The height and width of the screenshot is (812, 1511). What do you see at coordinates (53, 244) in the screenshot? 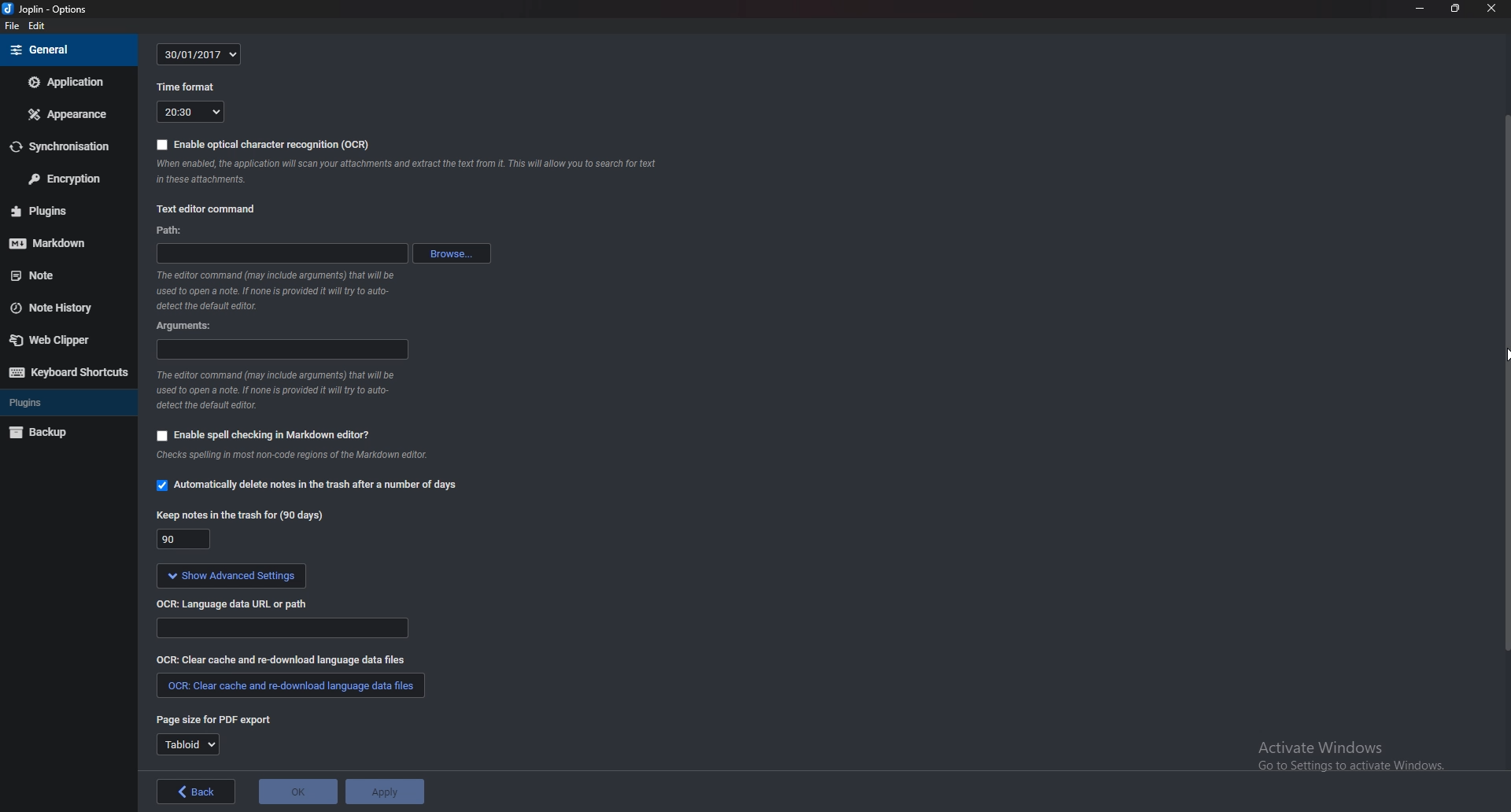
I see `mark down` at bounding box center [53, 244].